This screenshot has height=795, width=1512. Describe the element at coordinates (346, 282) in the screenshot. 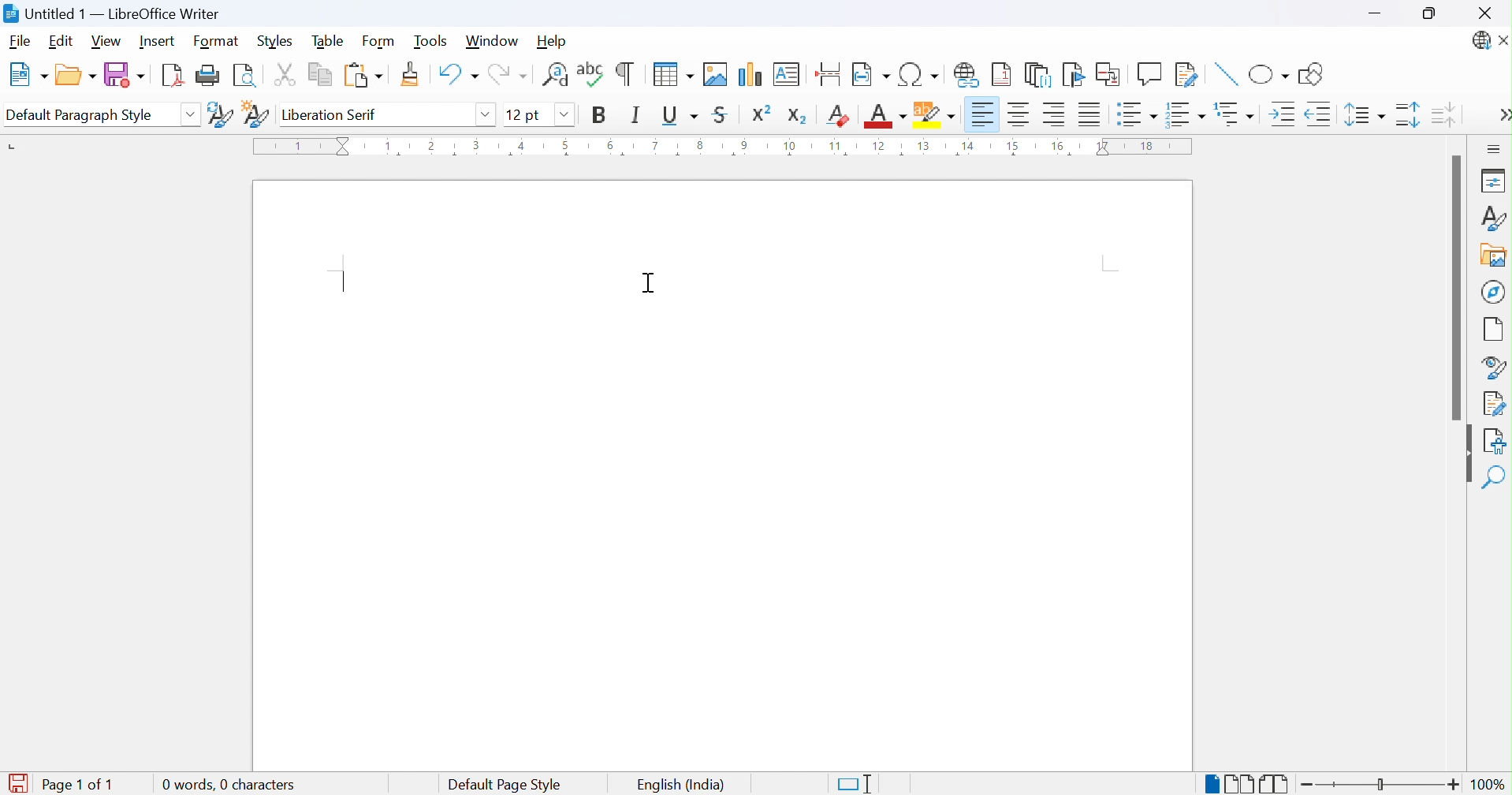

I see `Typing cursor` at that location.